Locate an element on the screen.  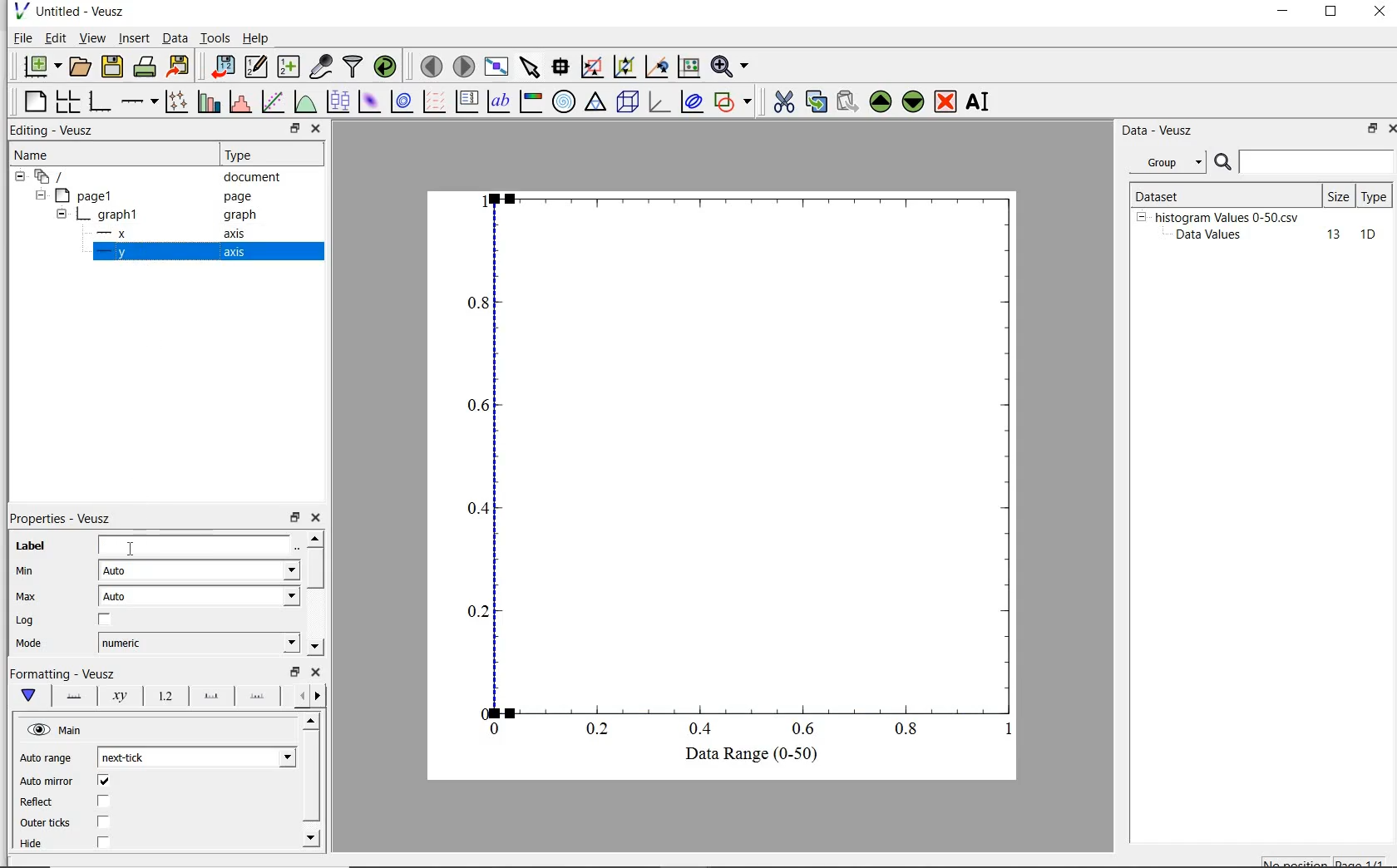
image color bar is located at coordinates (532, 101).